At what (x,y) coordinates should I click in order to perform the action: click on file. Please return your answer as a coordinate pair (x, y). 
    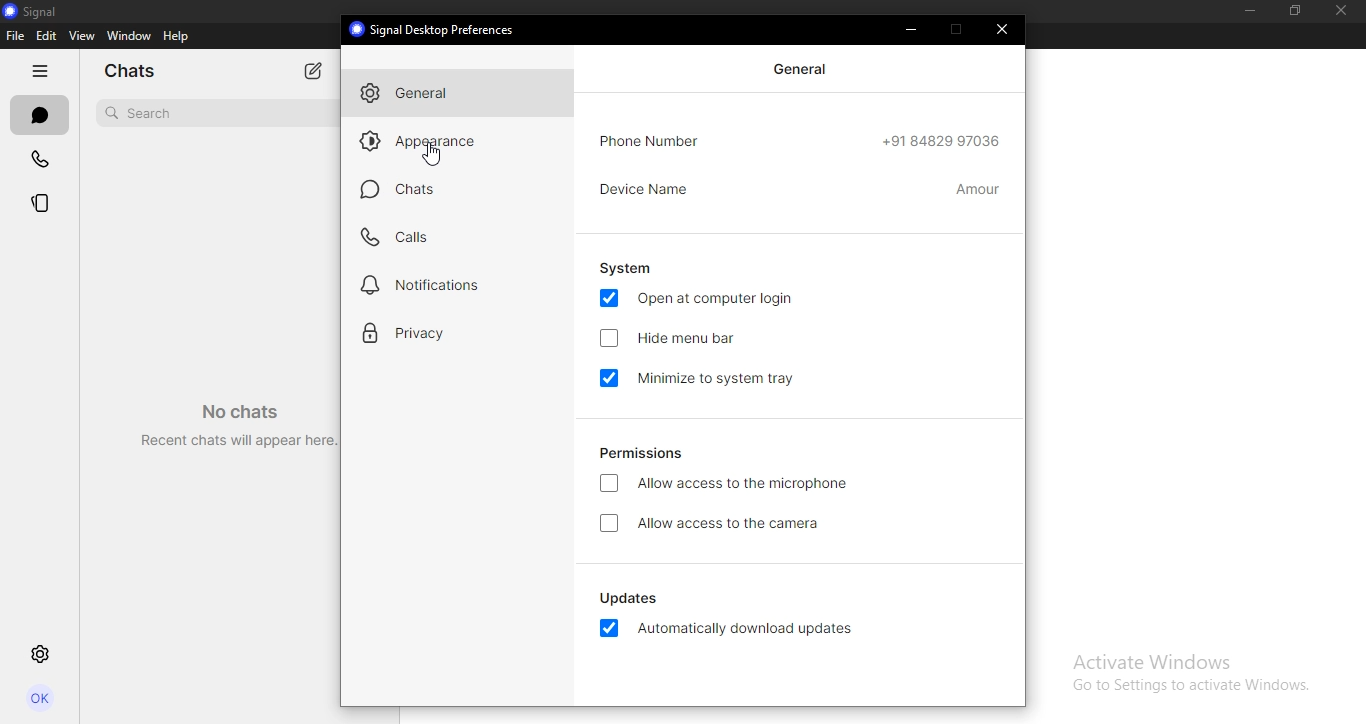
    Looking at the image, I should click on (16, 37).